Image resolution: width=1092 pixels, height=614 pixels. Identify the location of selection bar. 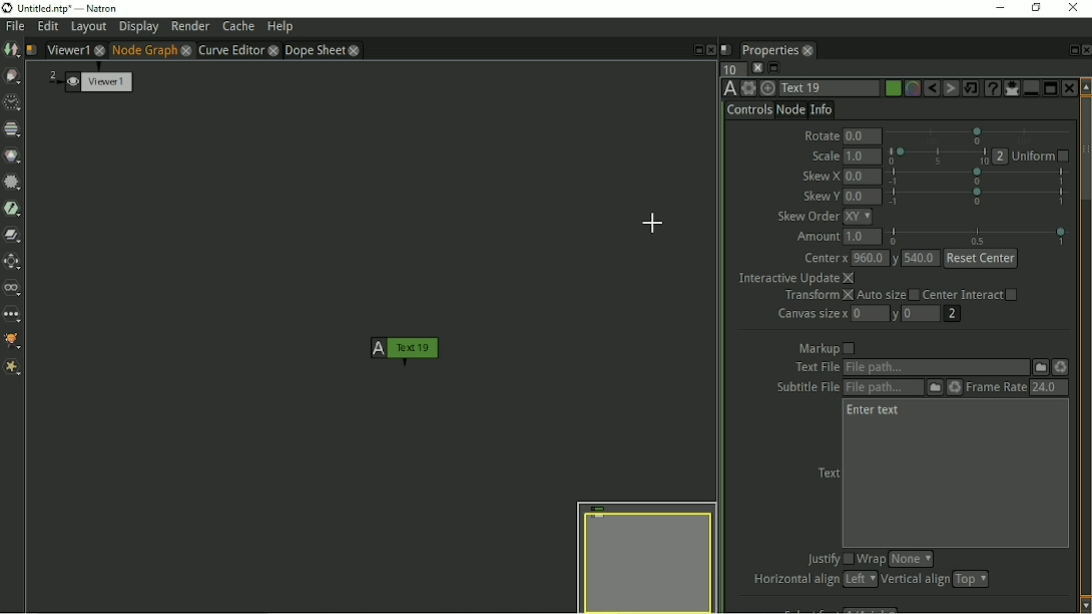
(980, 235).